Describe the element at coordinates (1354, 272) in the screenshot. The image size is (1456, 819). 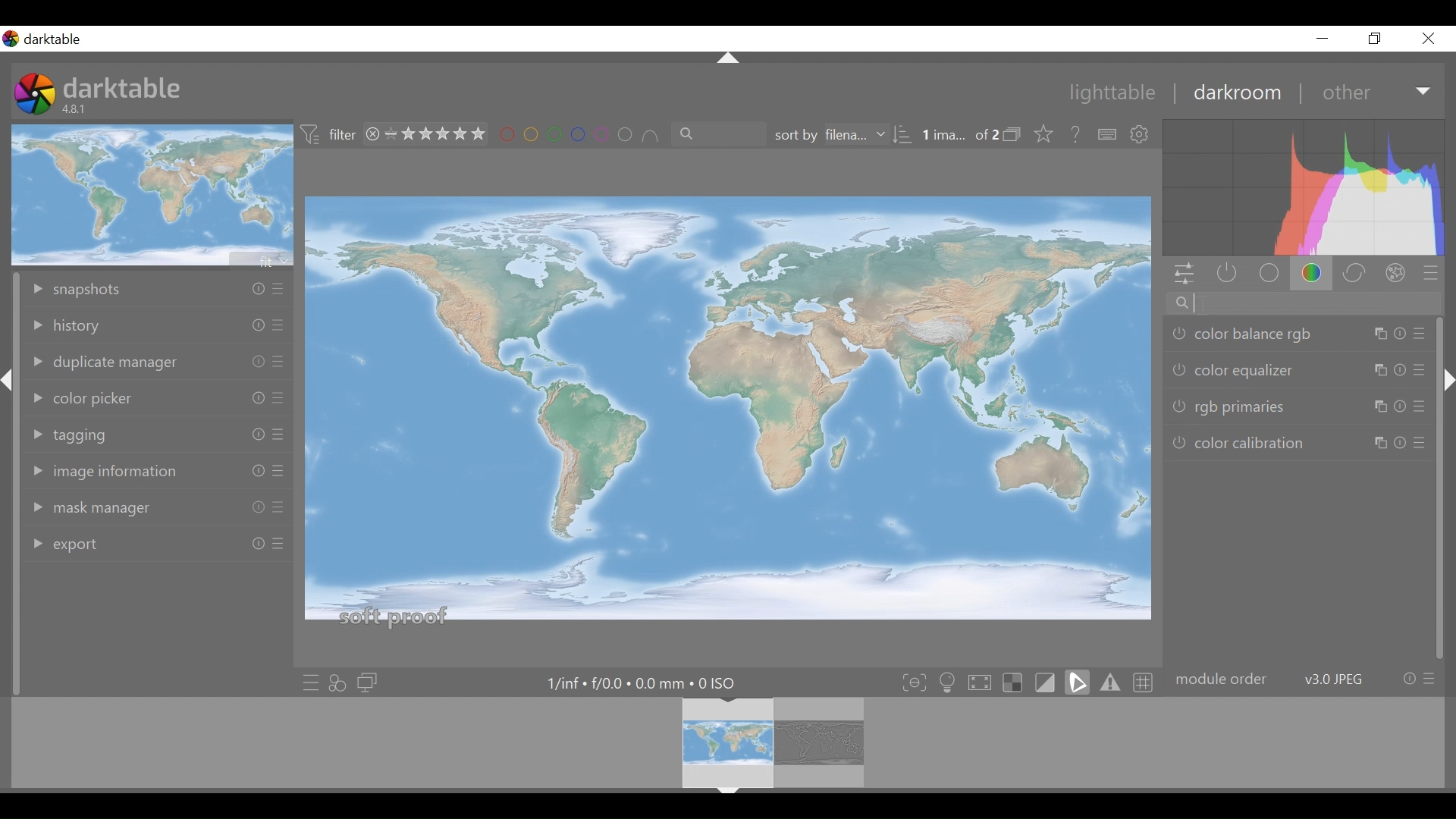
I see `correct` at that location.